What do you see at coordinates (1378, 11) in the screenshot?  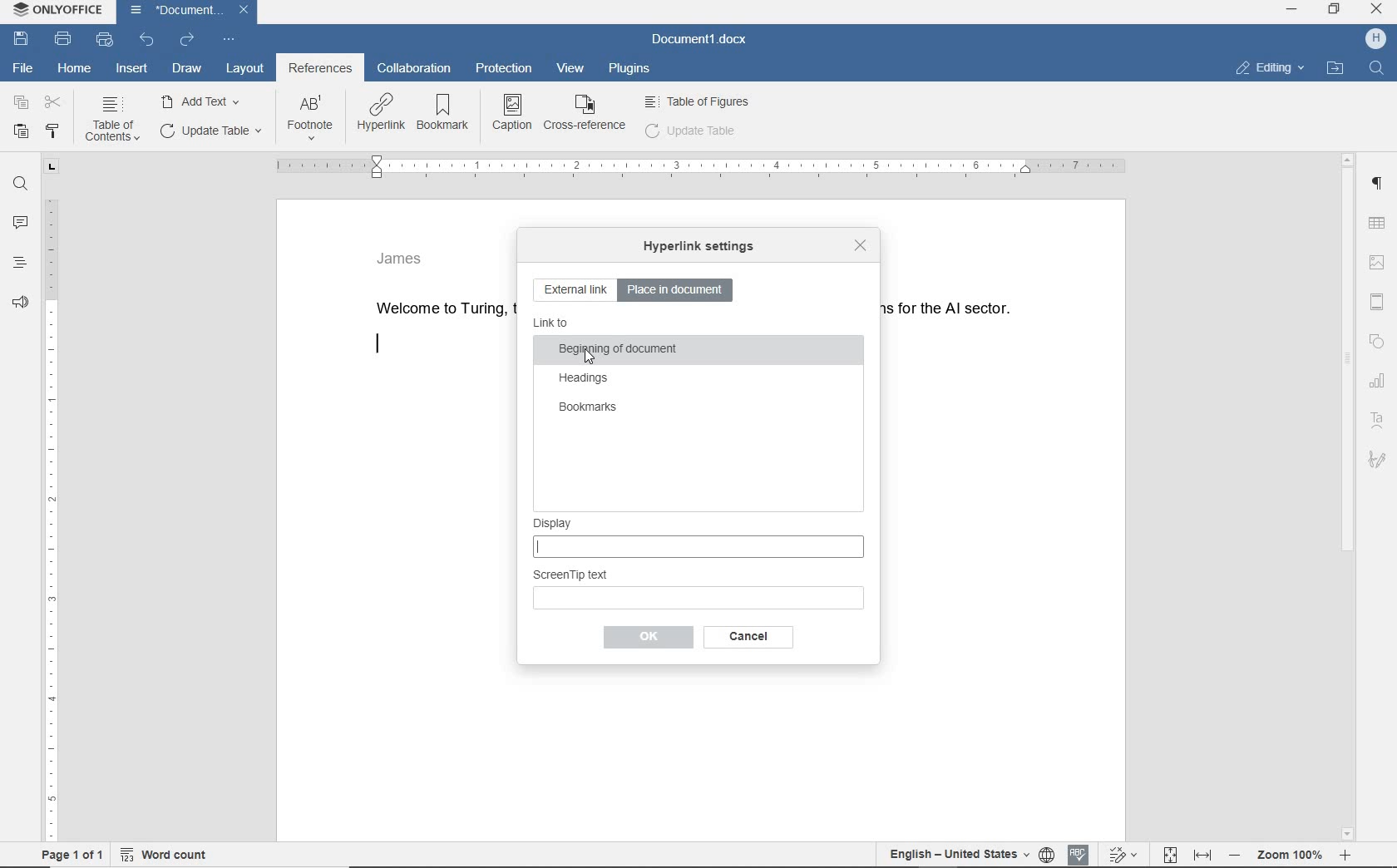 I see `Close` at bounding box center [1378, 11].